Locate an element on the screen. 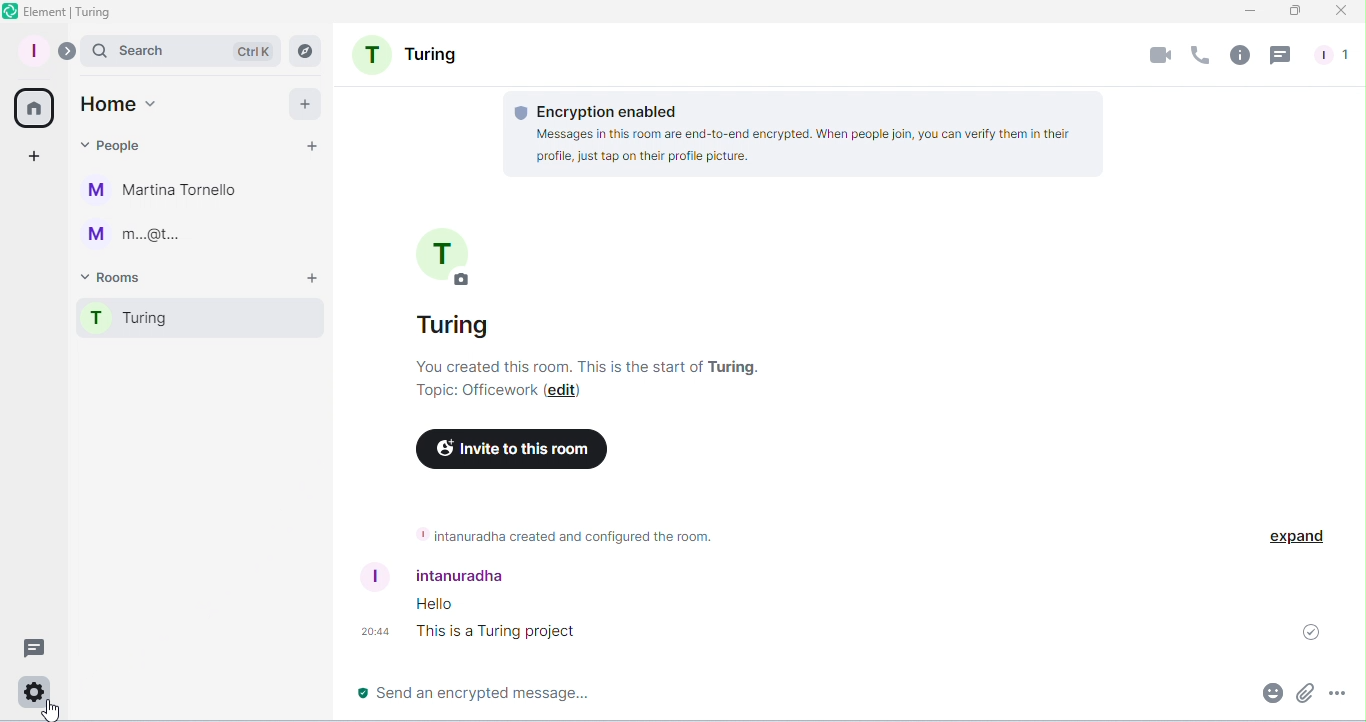 The image size is (1366, 722). Search bar is located at coordinates (182, 48).